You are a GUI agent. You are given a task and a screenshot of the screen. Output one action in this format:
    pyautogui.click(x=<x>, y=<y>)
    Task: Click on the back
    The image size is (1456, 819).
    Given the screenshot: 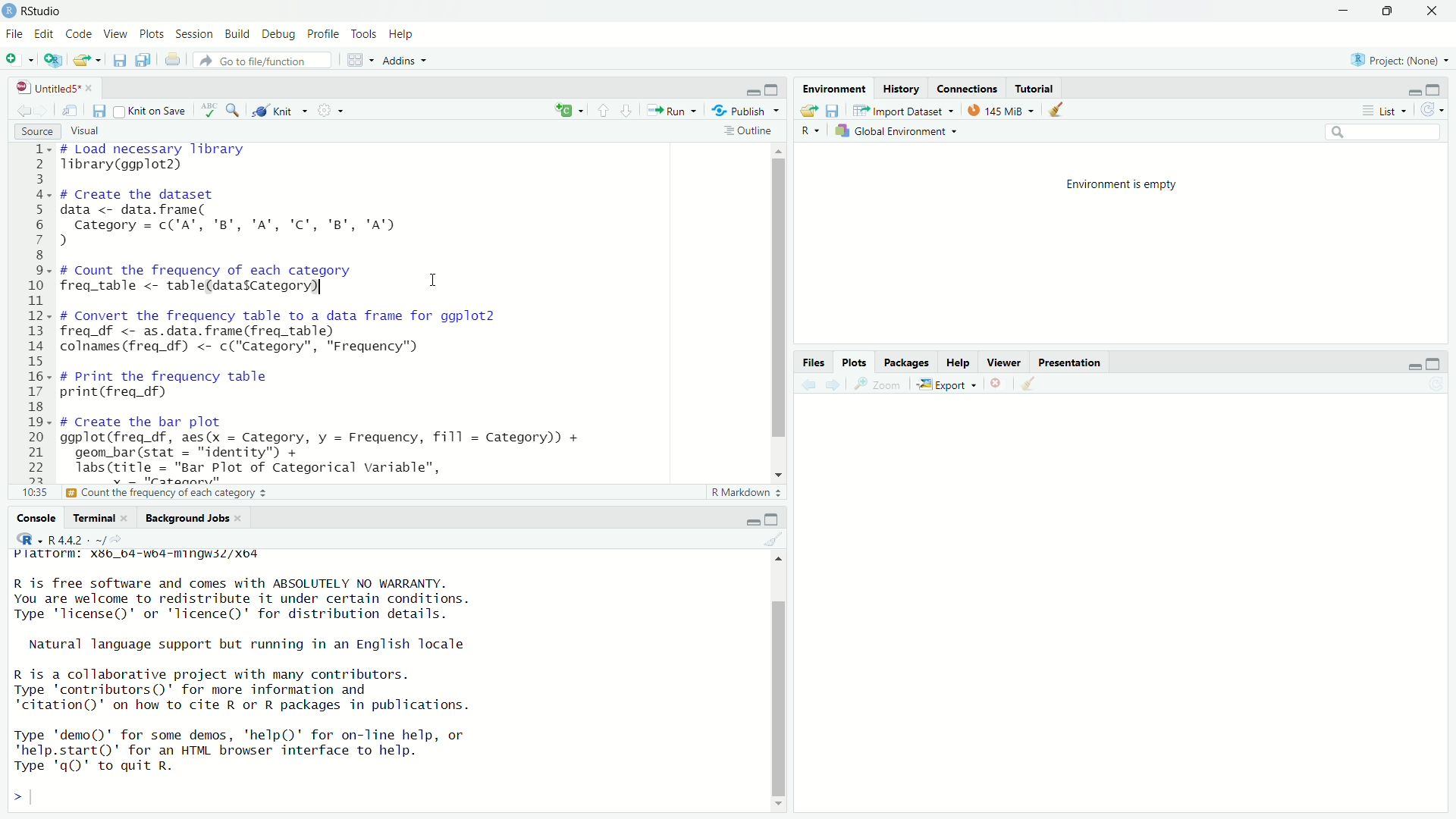 What is the action you would take?
    pyautogui.click(x=812, y=385)
    